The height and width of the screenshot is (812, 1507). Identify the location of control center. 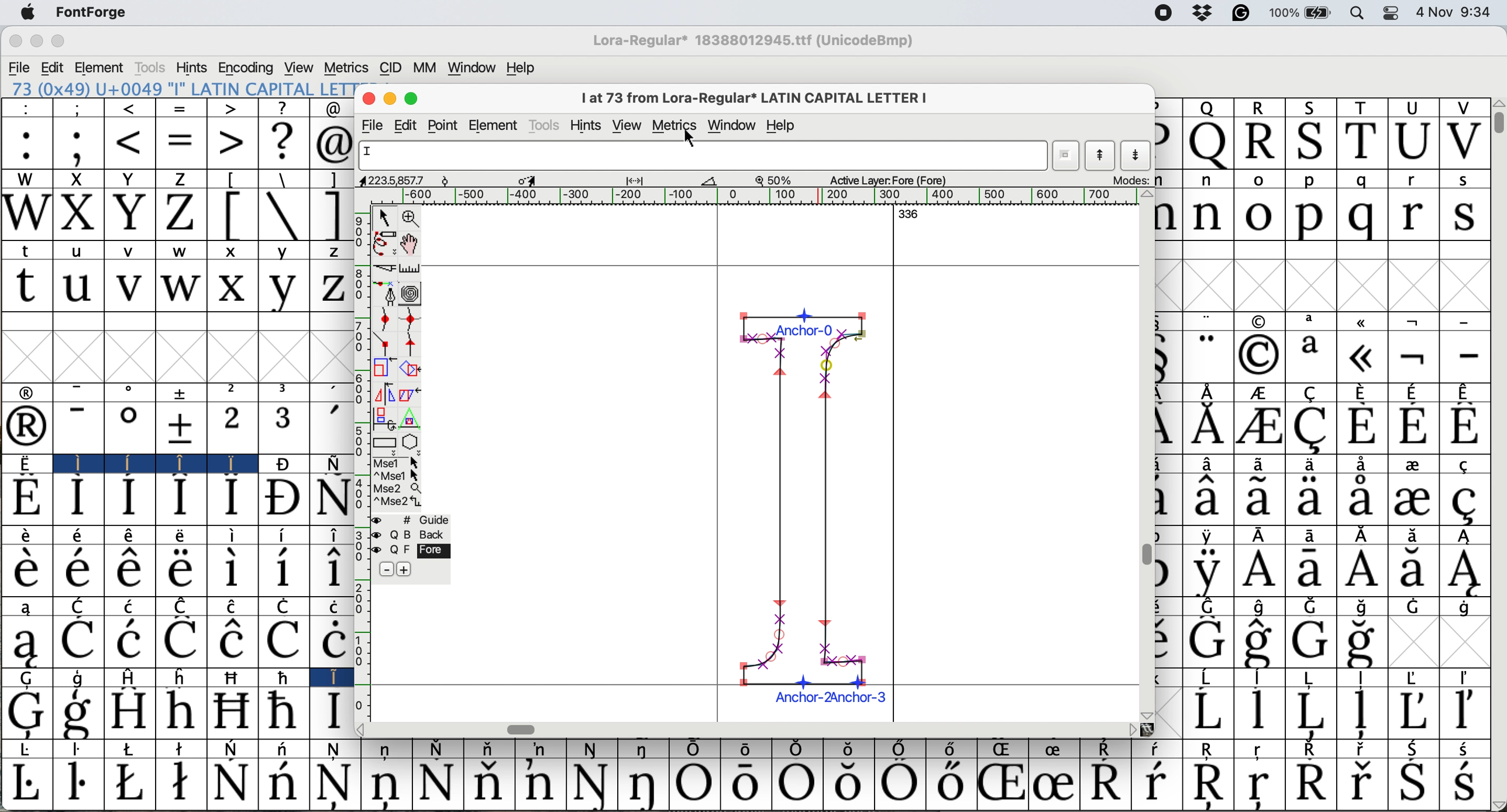
(1393, 14).